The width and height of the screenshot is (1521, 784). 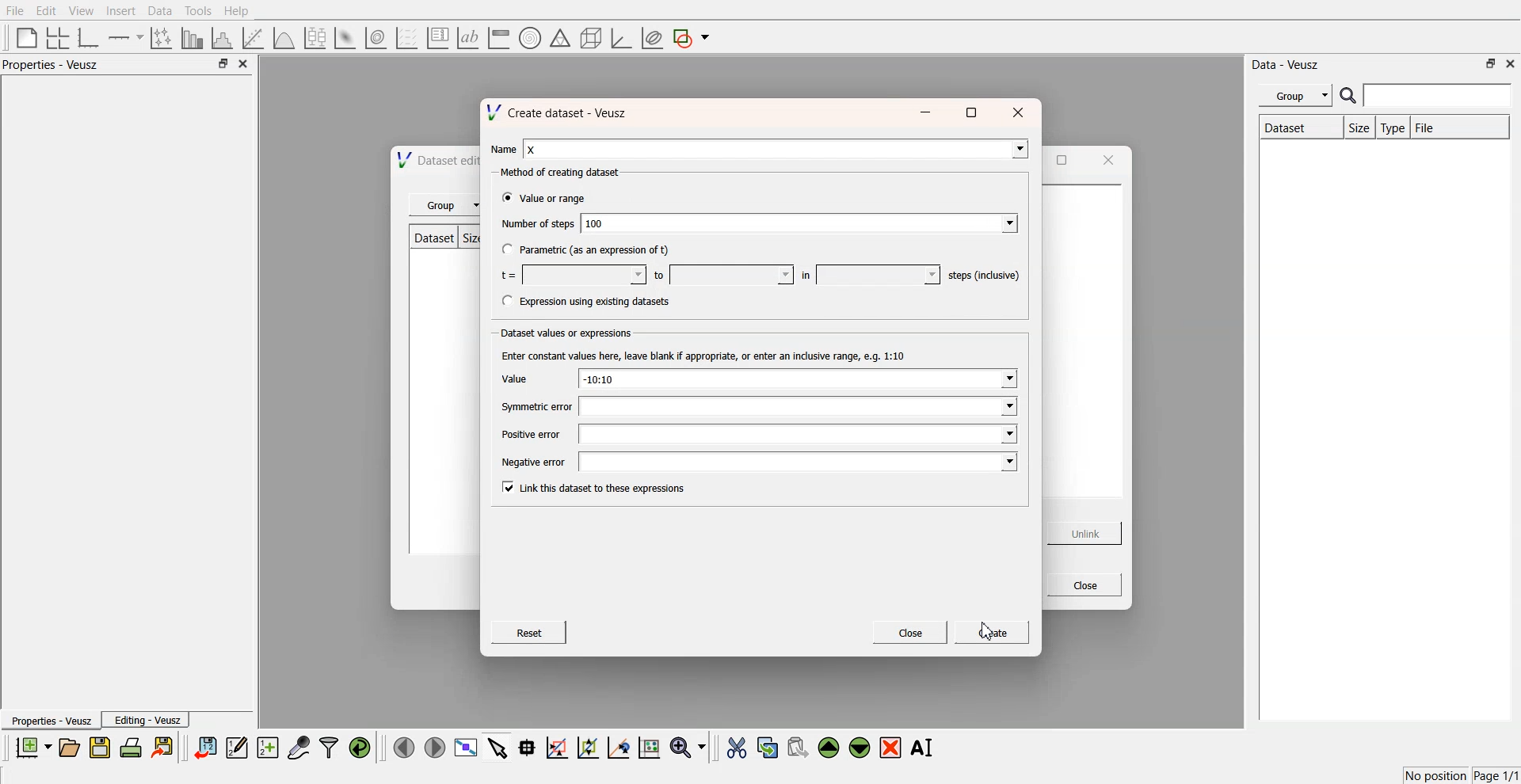 I want to click on plot a function on a graph, so click(x=284, y=36).